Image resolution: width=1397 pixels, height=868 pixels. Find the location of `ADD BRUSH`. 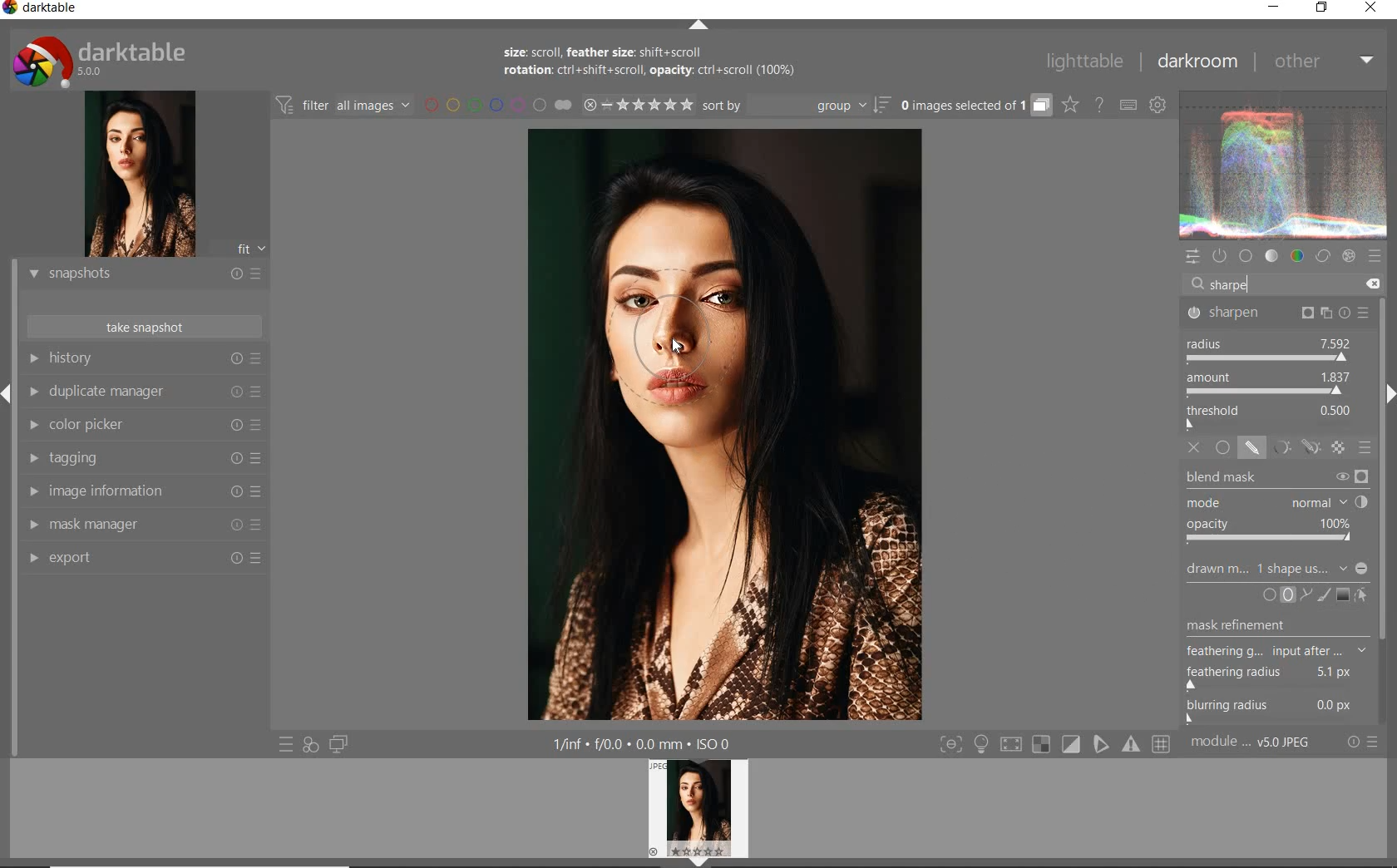

ADD BRUSH is located at coordinates (1324, 596).